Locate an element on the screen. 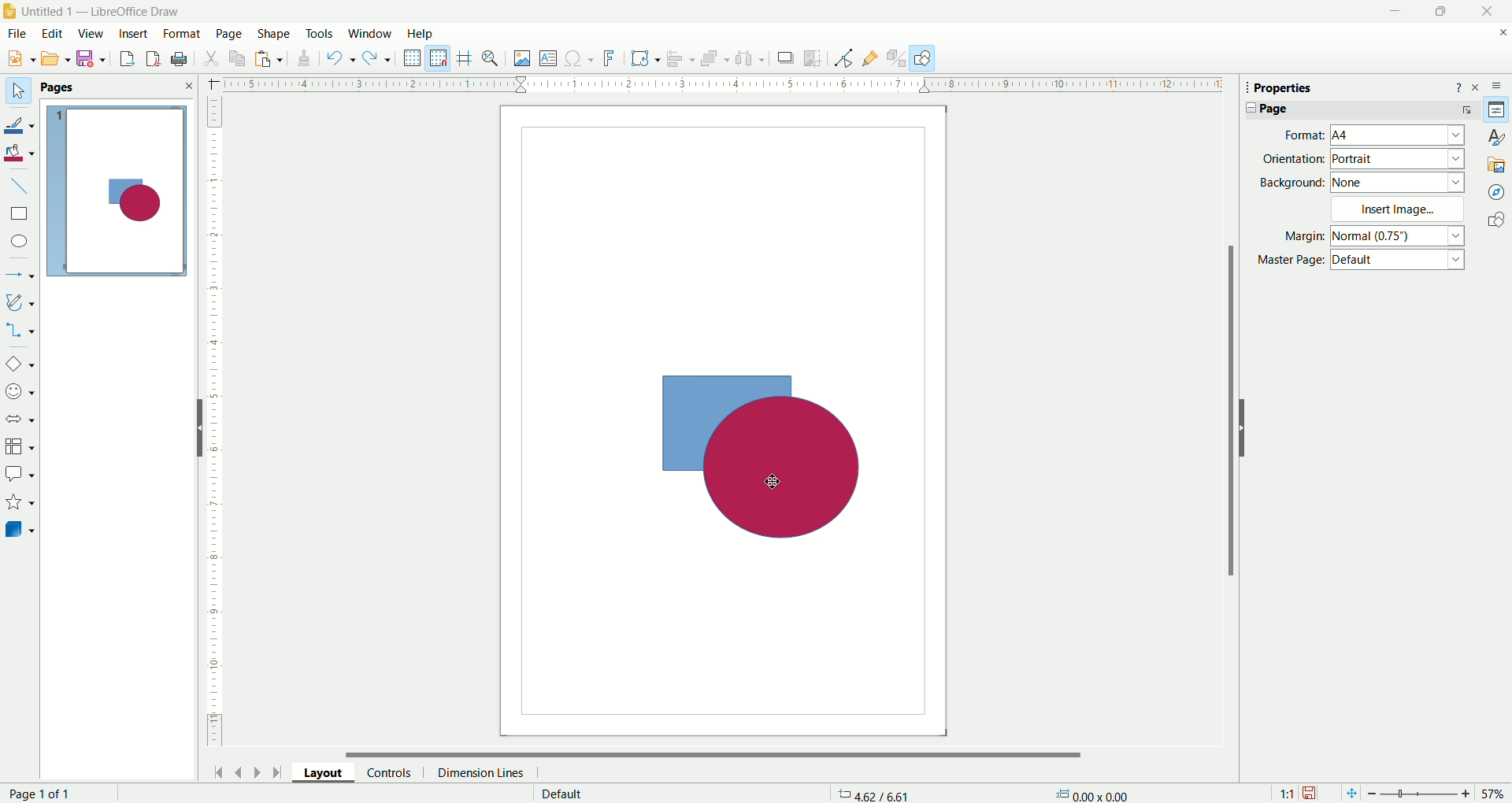 The image size is (1512, 803). close is located at coordinates (1481, 12).